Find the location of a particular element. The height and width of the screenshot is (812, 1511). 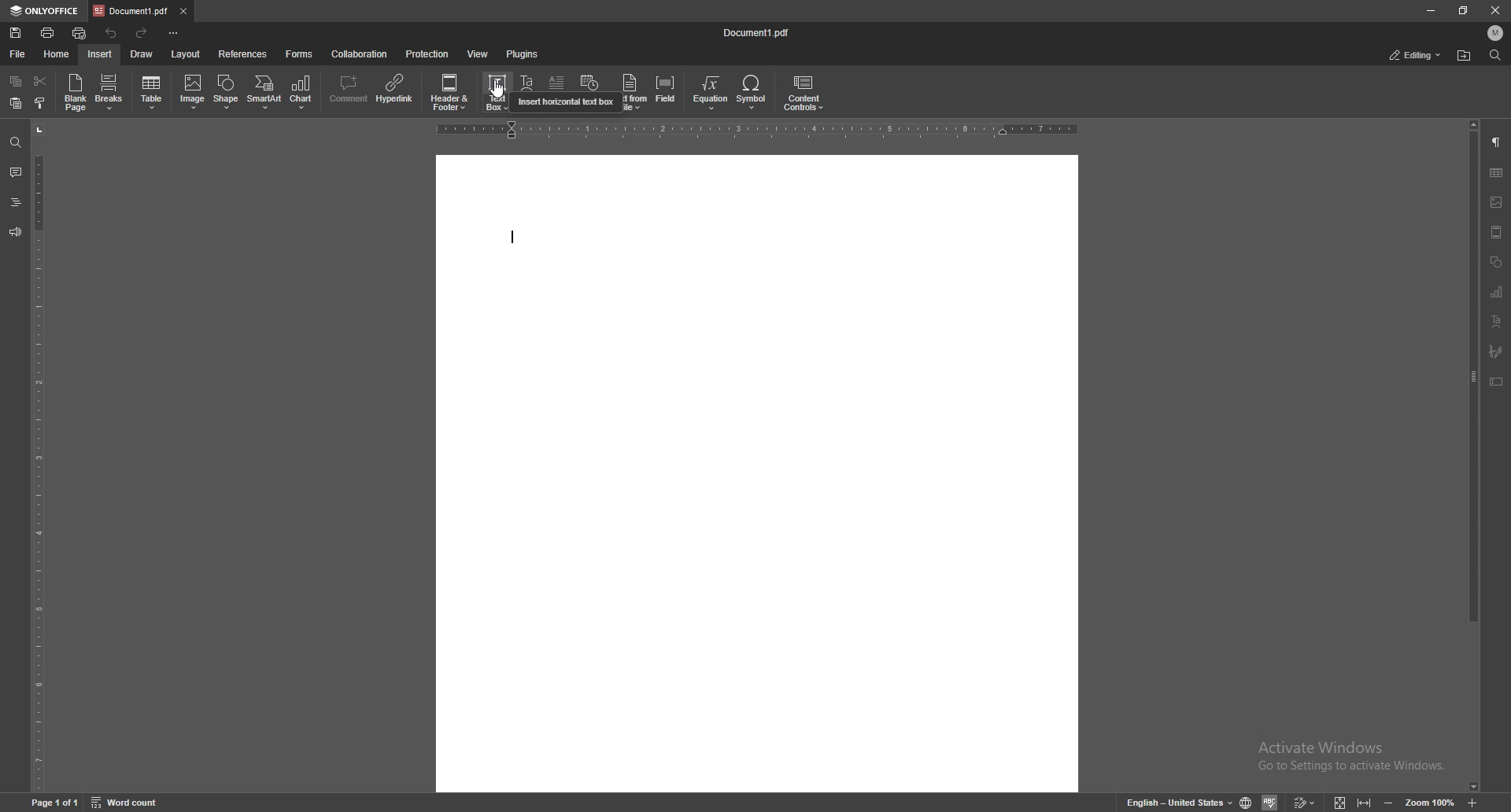

quick print is located at coordinates (79, 34).